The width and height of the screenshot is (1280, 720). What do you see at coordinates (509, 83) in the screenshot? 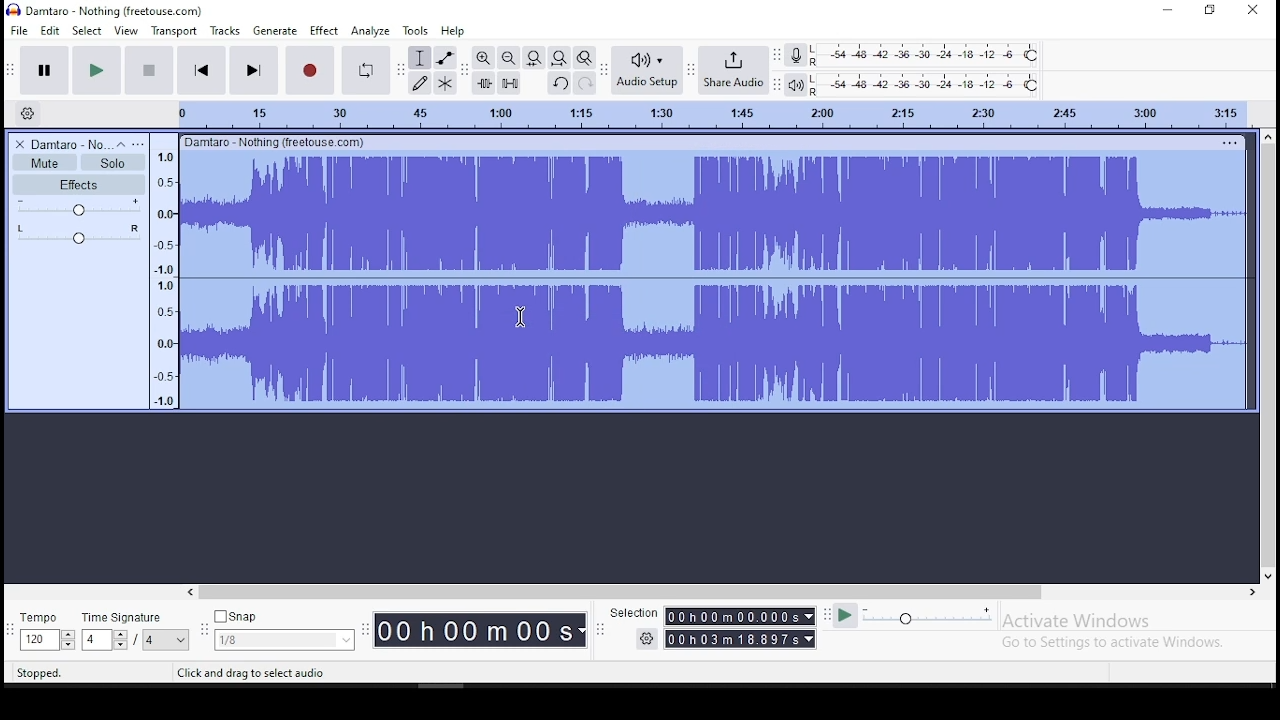
I see `silence audio selection` at bounding box center [509, 83].